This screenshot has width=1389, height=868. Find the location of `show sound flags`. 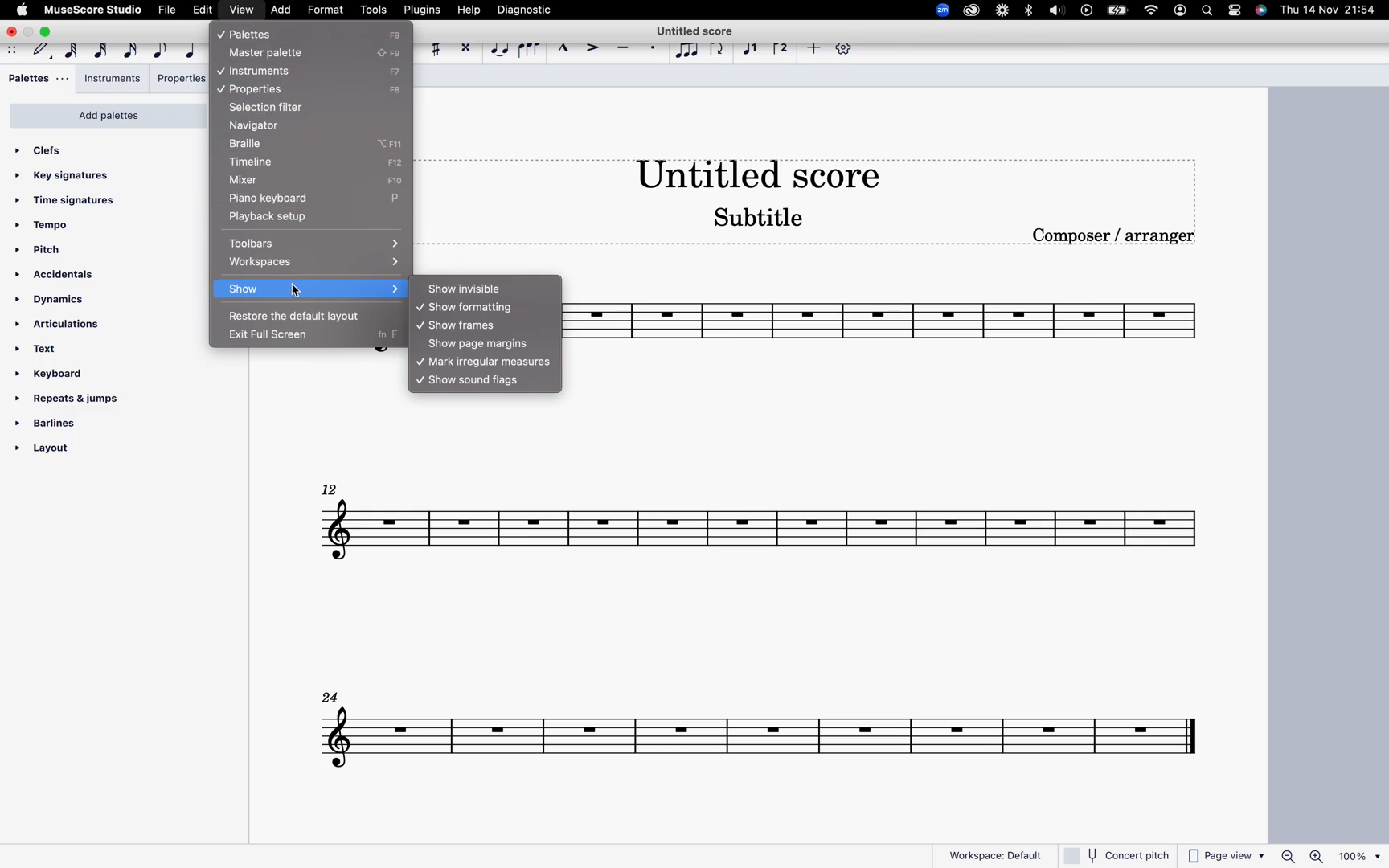

show sound flags is located at coordinates (488, 381).